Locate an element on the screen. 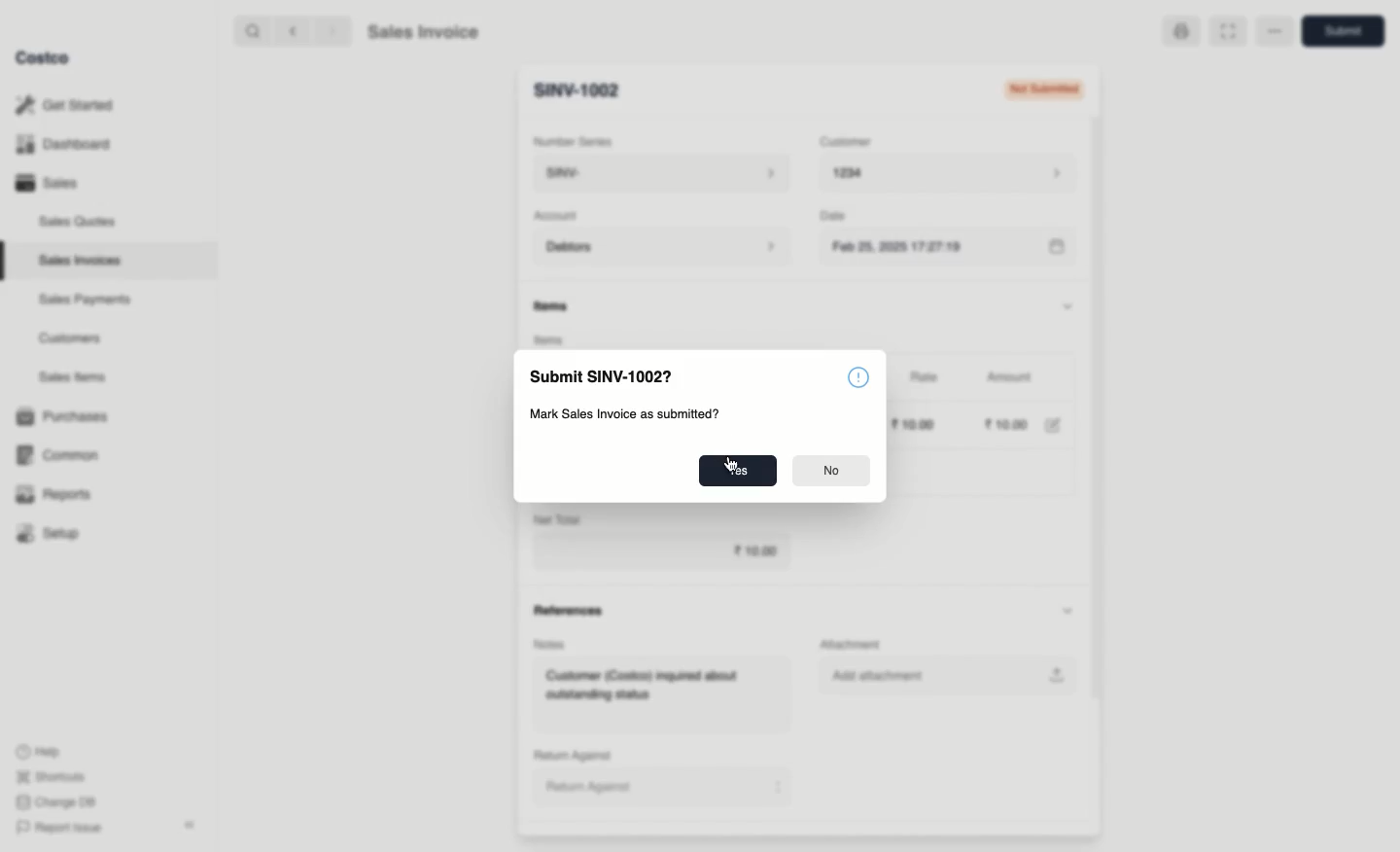 This screenshot has height=852, width=1400. SINV-1001 is located at coordinates (586, 89).